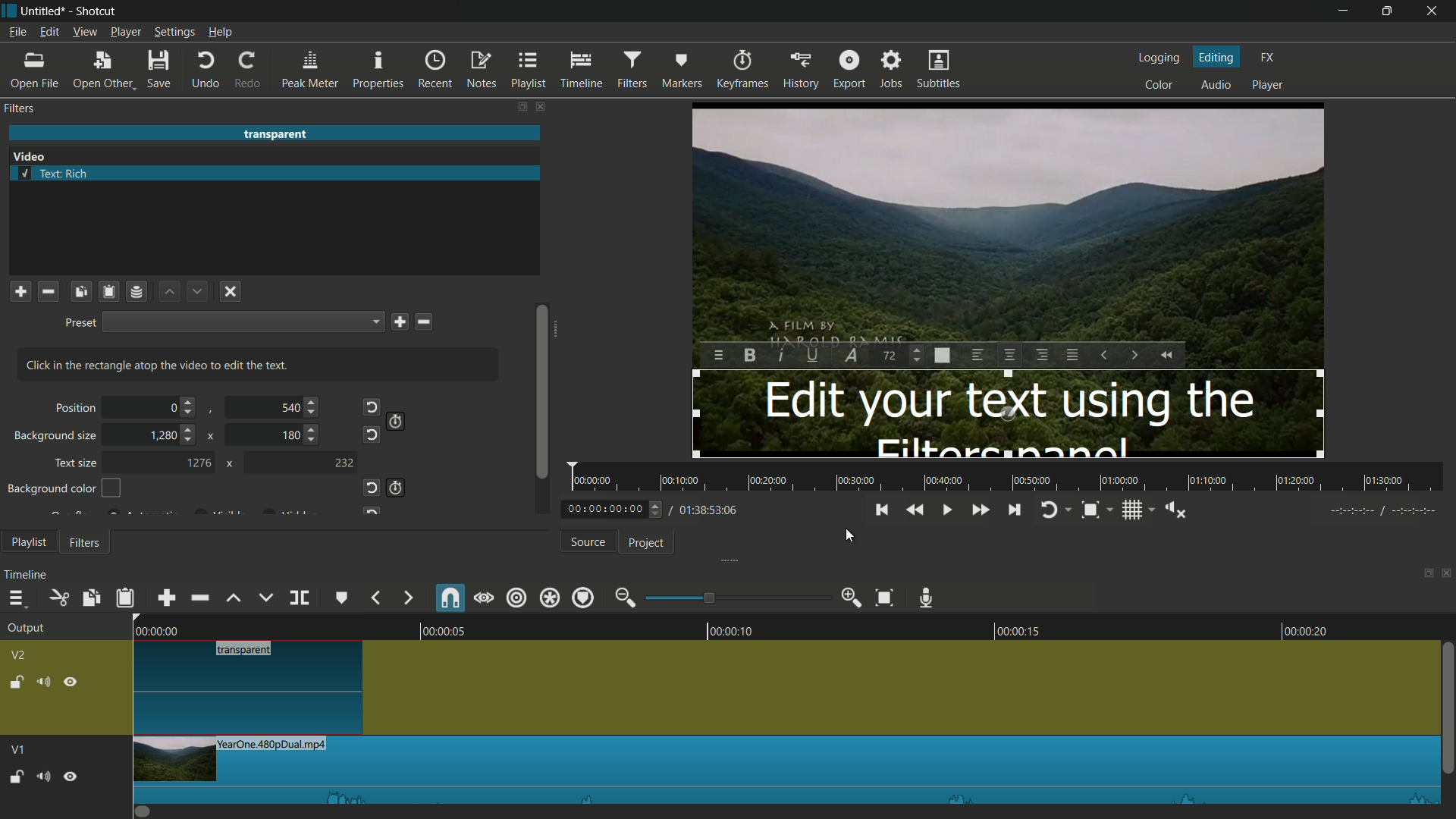 This screenshot has width=1456, height=819. What do you see at coordinates (310, 71) in the screenshot?
I see `peak meter` at bounding box center [310, 71].